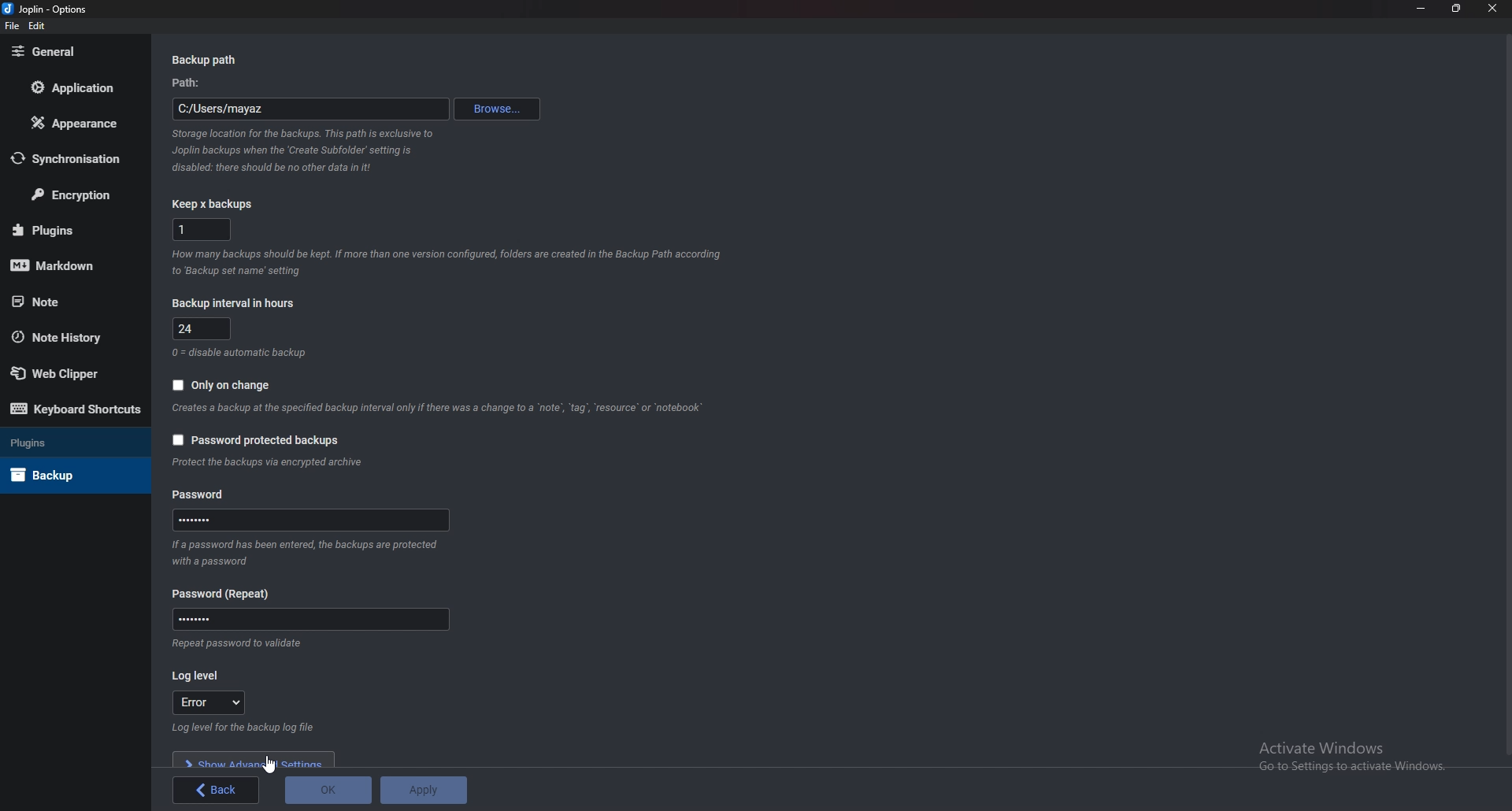 Image resolution: width=1512 pixels, height=811 pixels. Describe the element at coordinates (212, 204) in the screenshot. I see `Keep X backups` at that location.